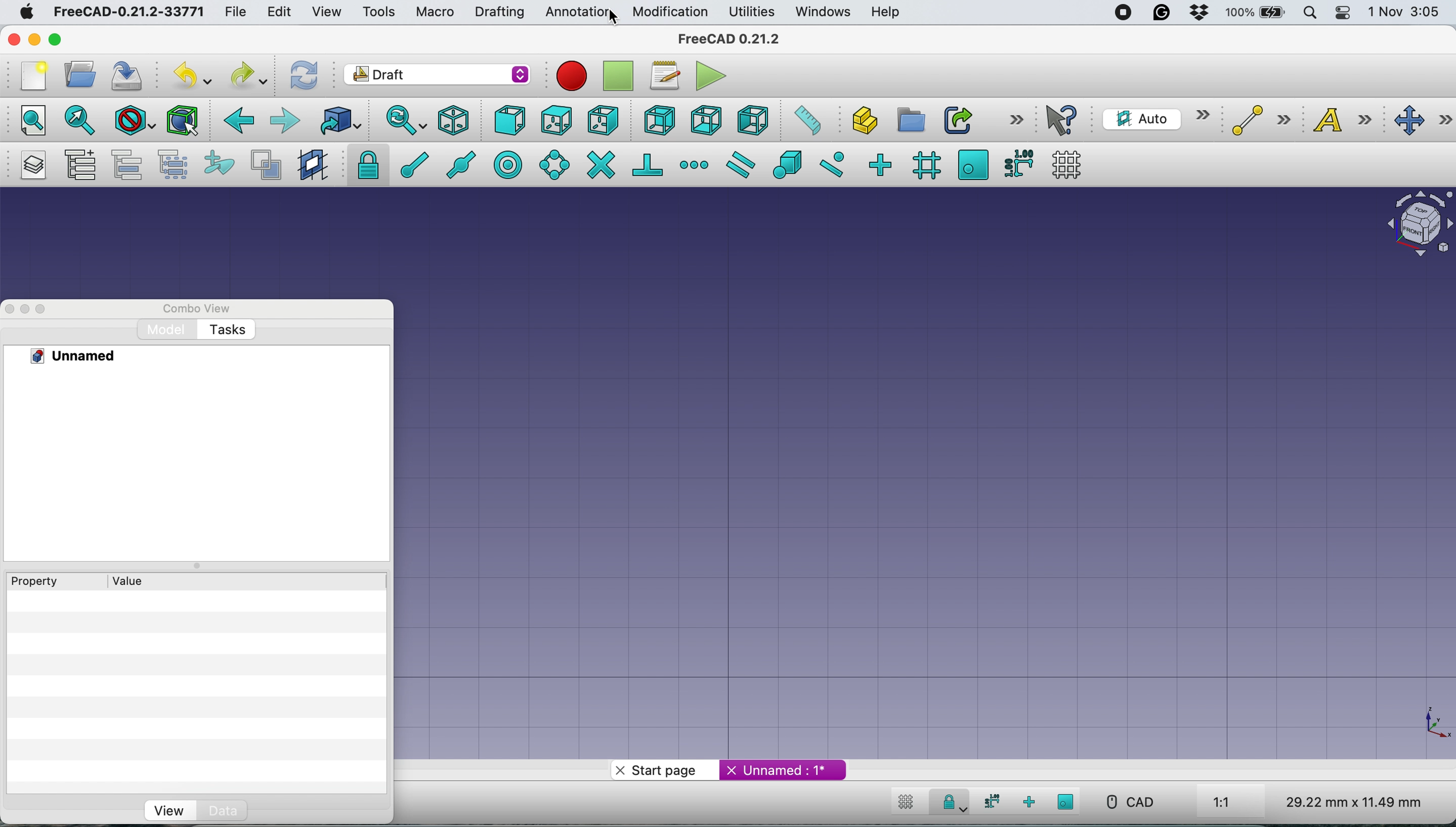 This screenshot has width=1456, height=827. I want to click on start page, so click(652, 768).